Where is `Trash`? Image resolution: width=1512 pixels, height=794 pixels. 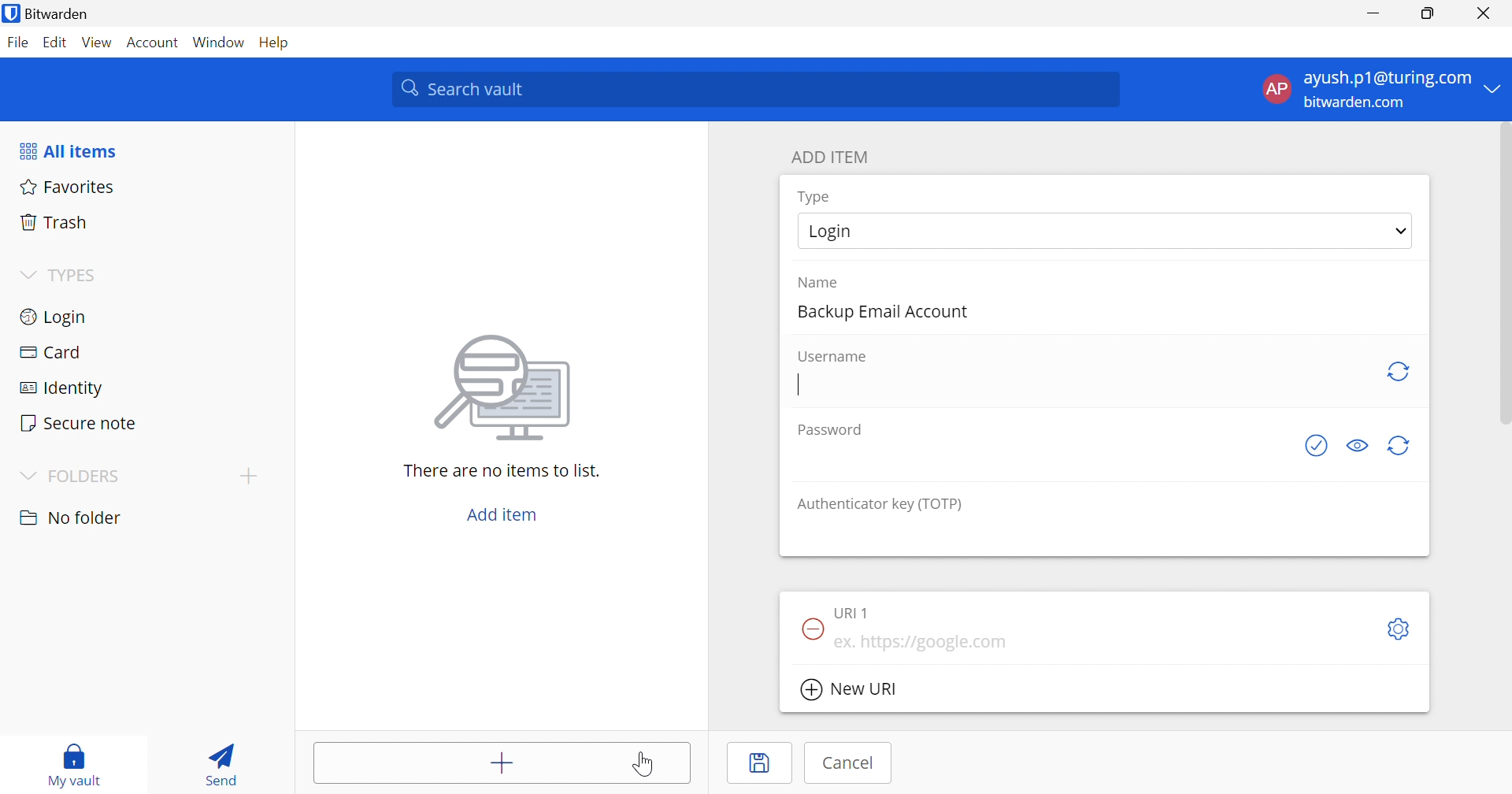
Trash is located at coordinates (55, 221).